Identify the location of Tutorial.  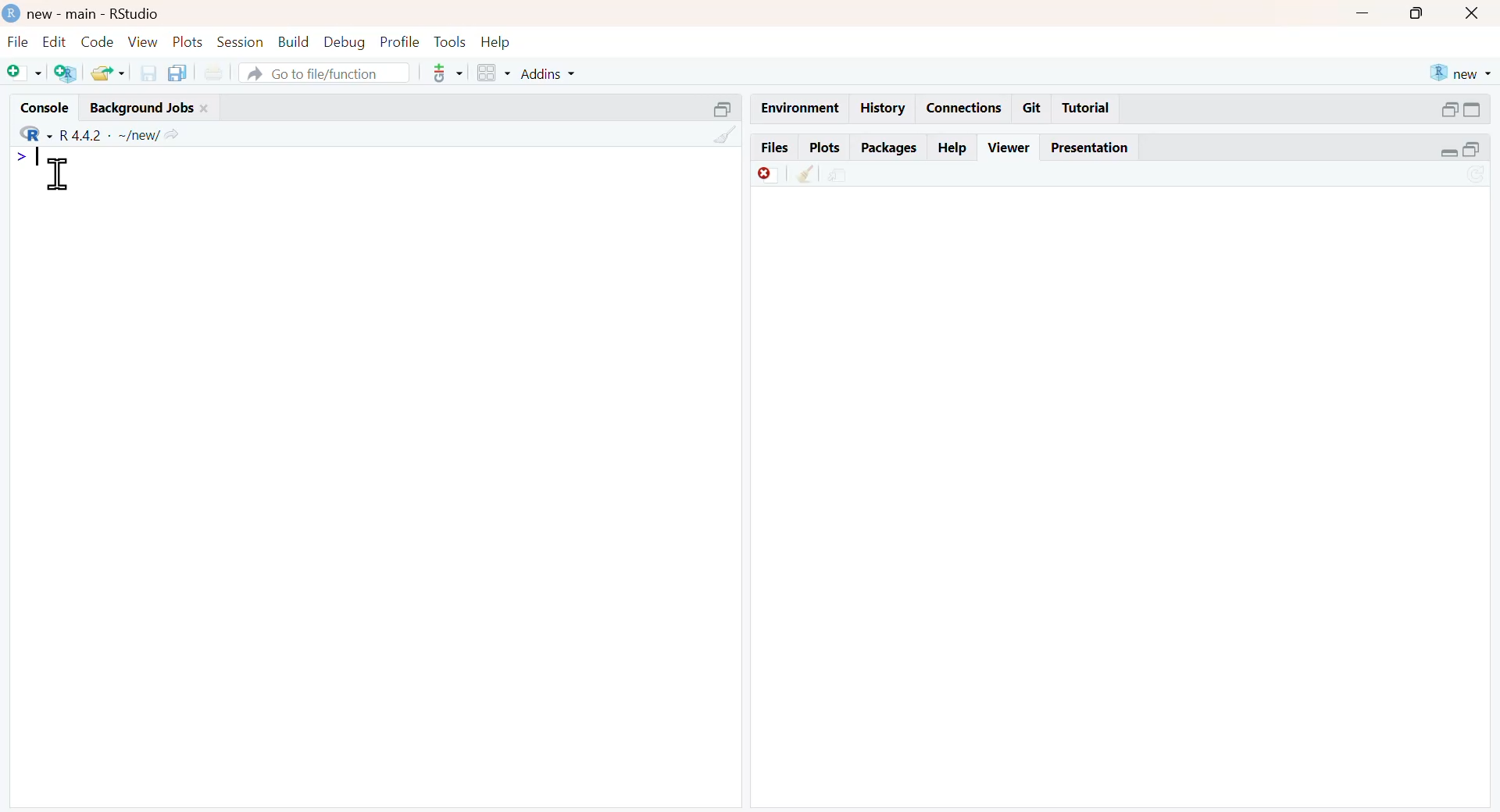
(1086, 107).